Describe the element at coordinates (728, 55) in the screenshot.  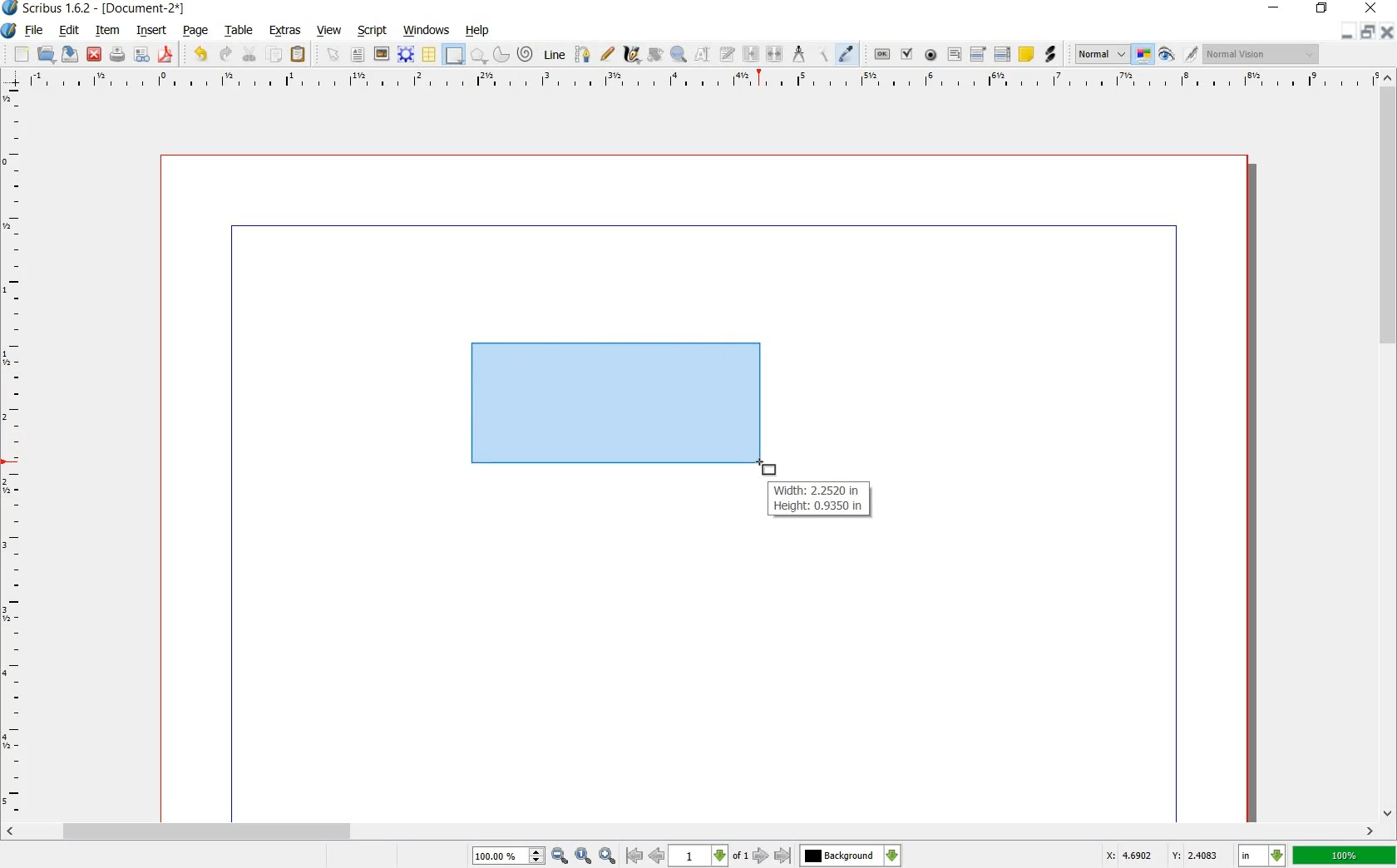
I see `EDIT TEXT WITH STORY EDITOR` at that location.